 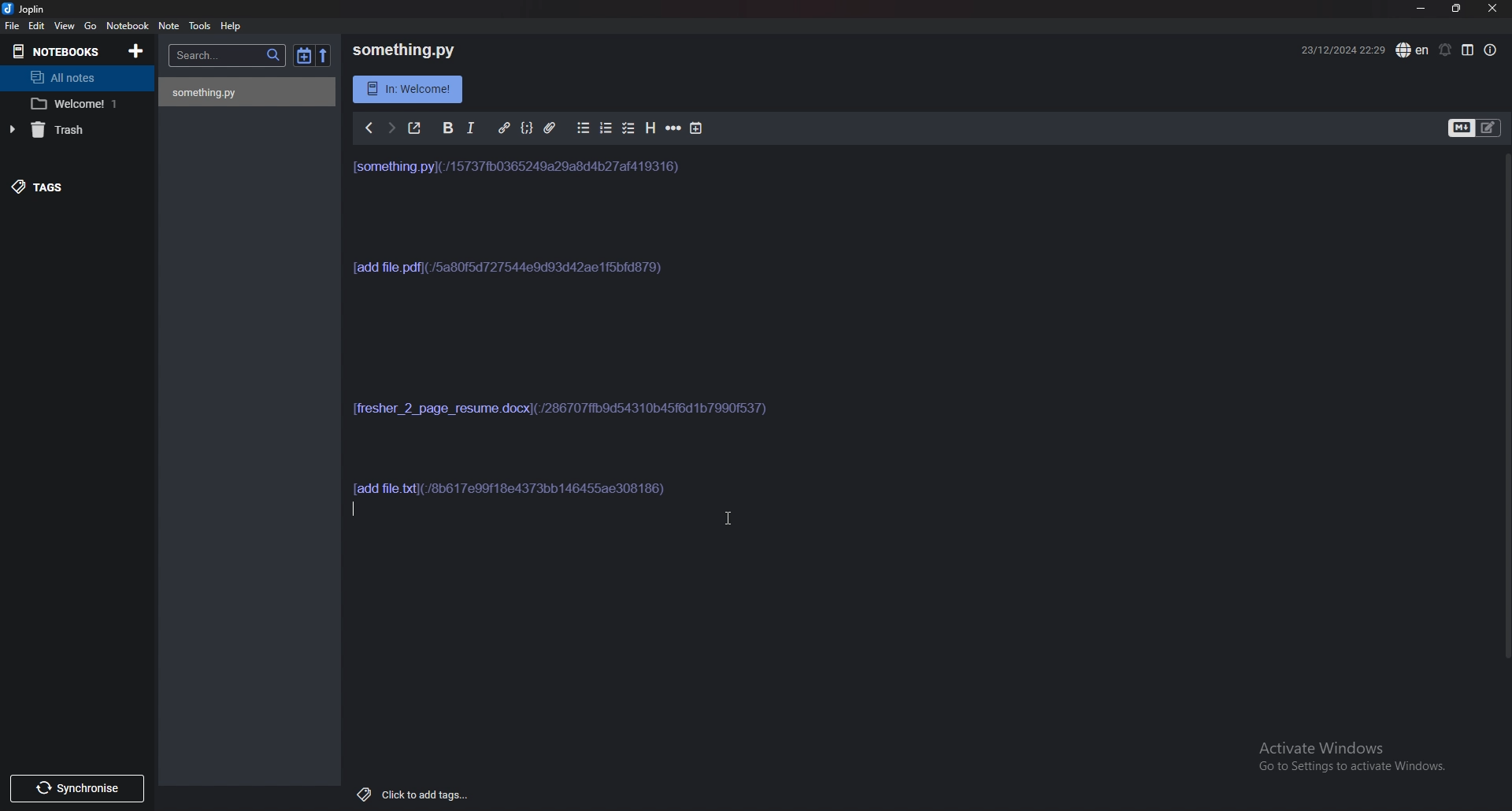 I want to click on Checkbox, so click(x=628, y=129).